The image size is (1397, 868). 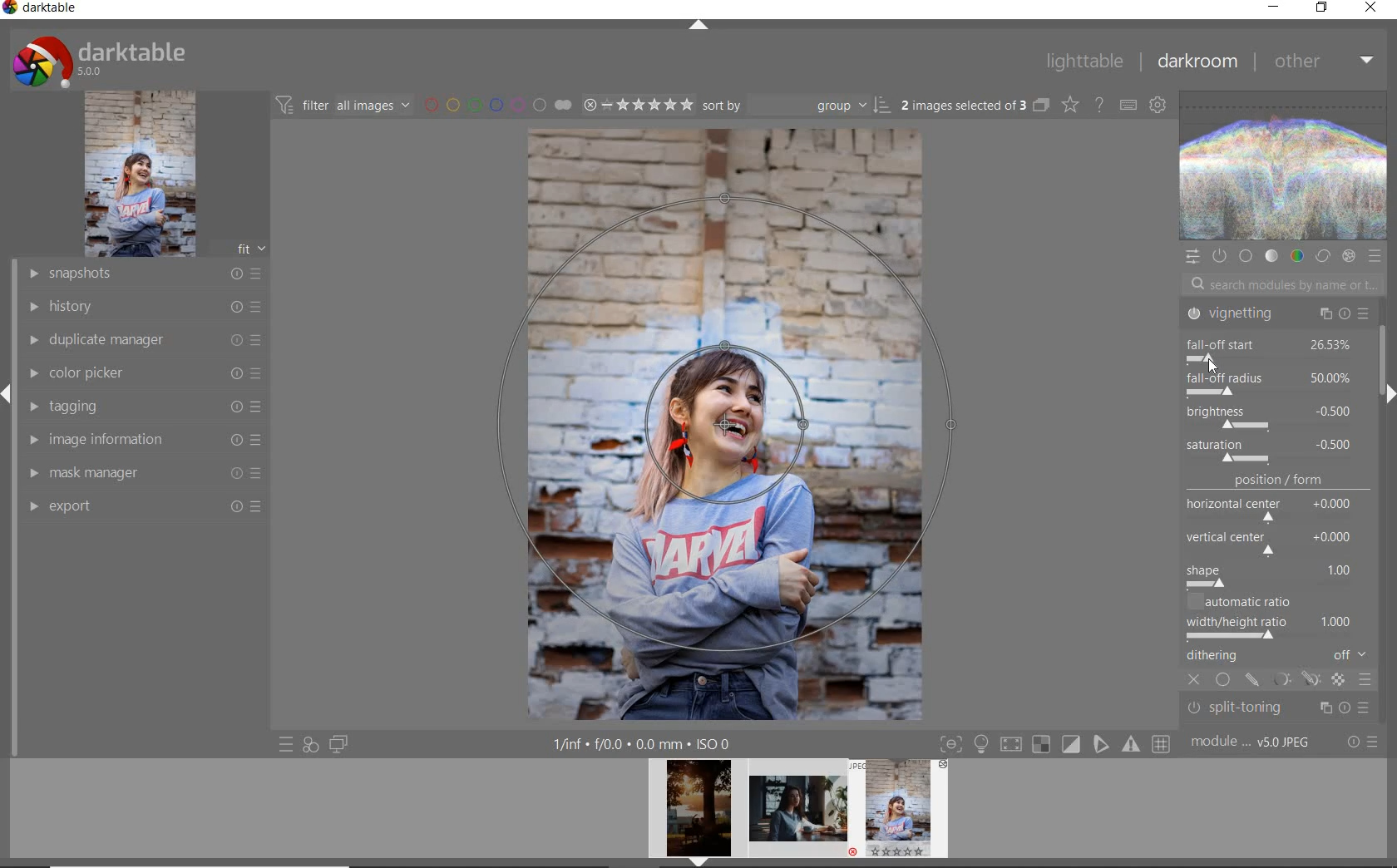 I want to click on mask manager, so click(x=144, y=471).